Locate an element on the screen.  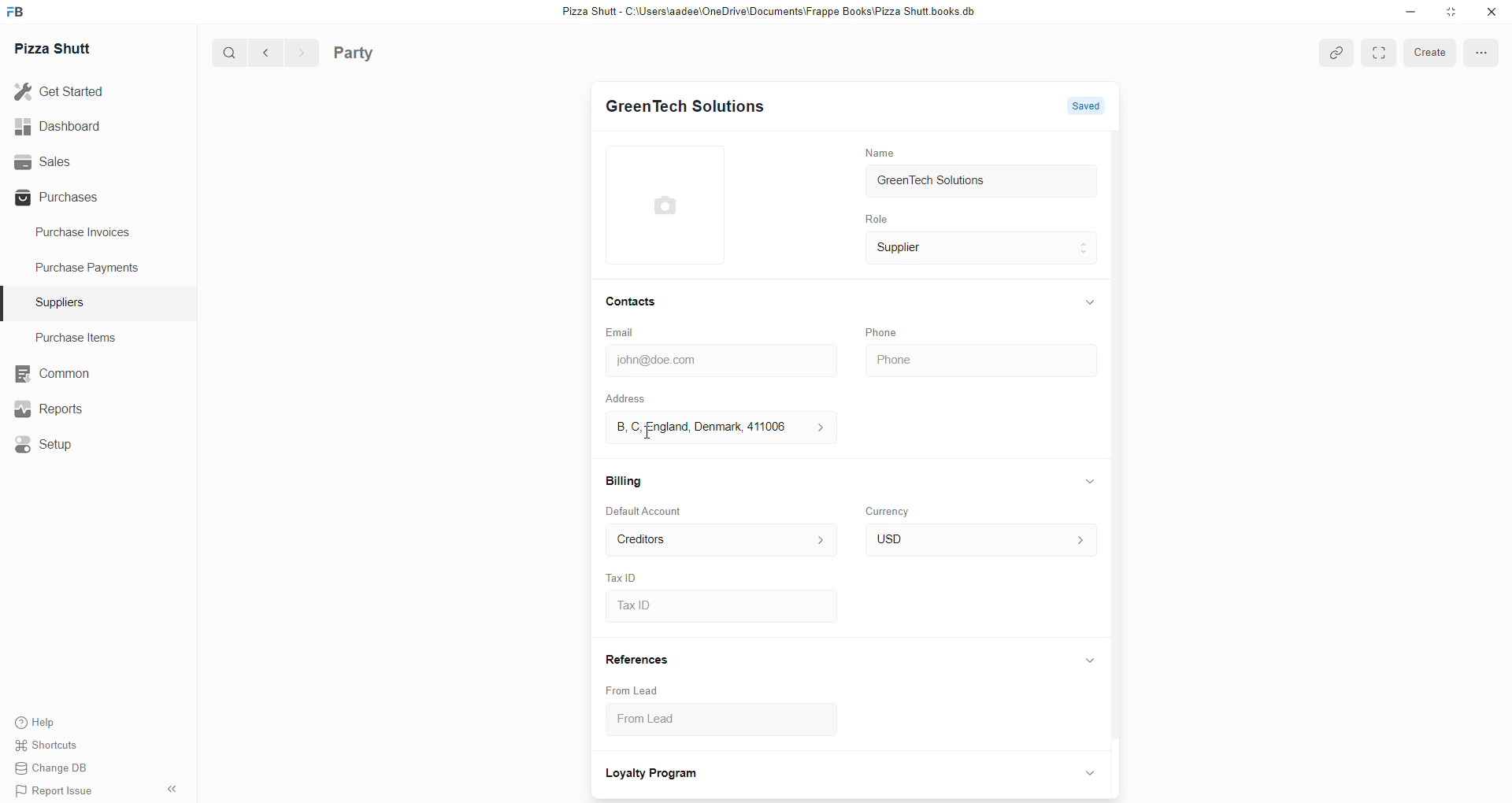
next page is located at coordinates (297, 52).